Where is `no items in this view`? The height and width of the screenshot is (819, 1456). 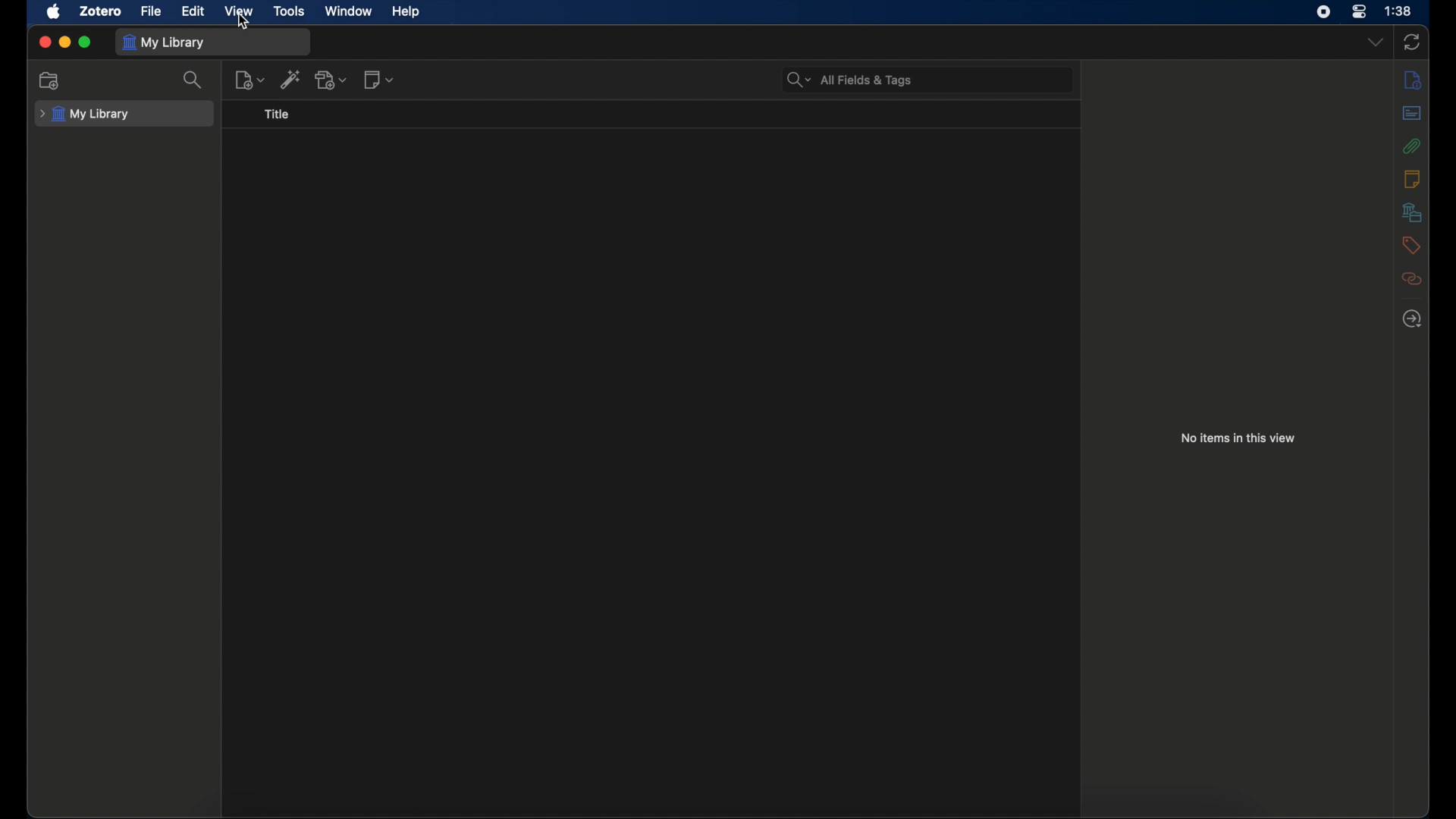 no items in this view is located at coordinates (1238, 438).